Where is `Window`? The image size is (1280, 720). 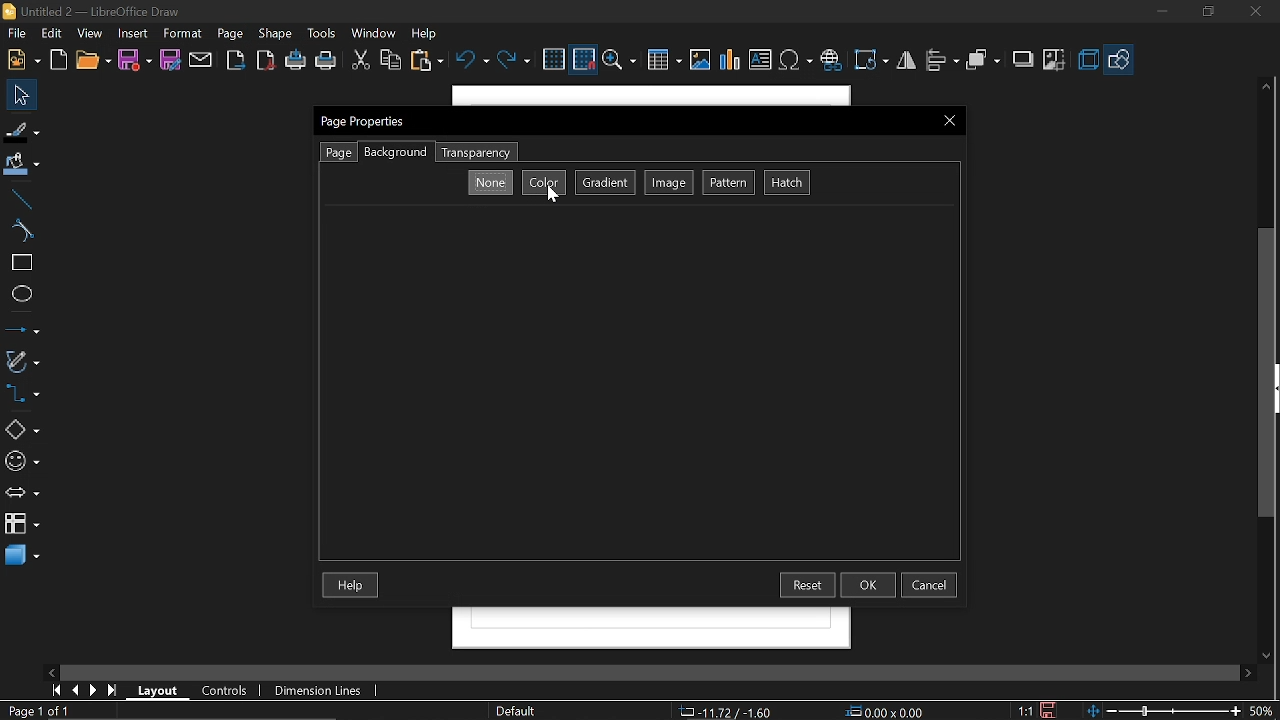
Window is located at coordinates (374, 35).